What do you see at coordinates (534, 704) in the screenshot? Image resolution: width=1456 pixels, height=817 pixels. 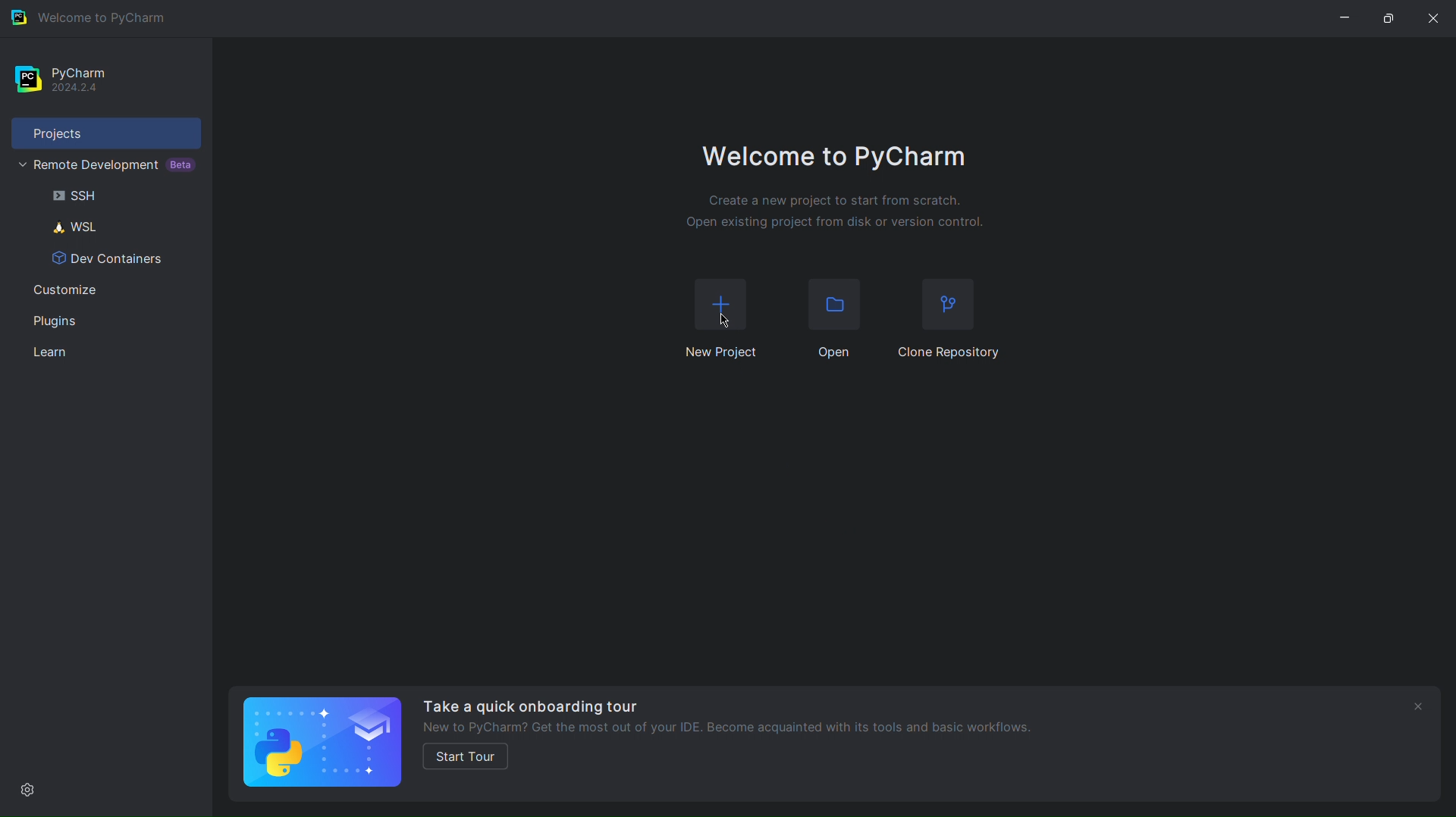 I see `Take a quick onboarding tour` at bounding box center [534, 704].